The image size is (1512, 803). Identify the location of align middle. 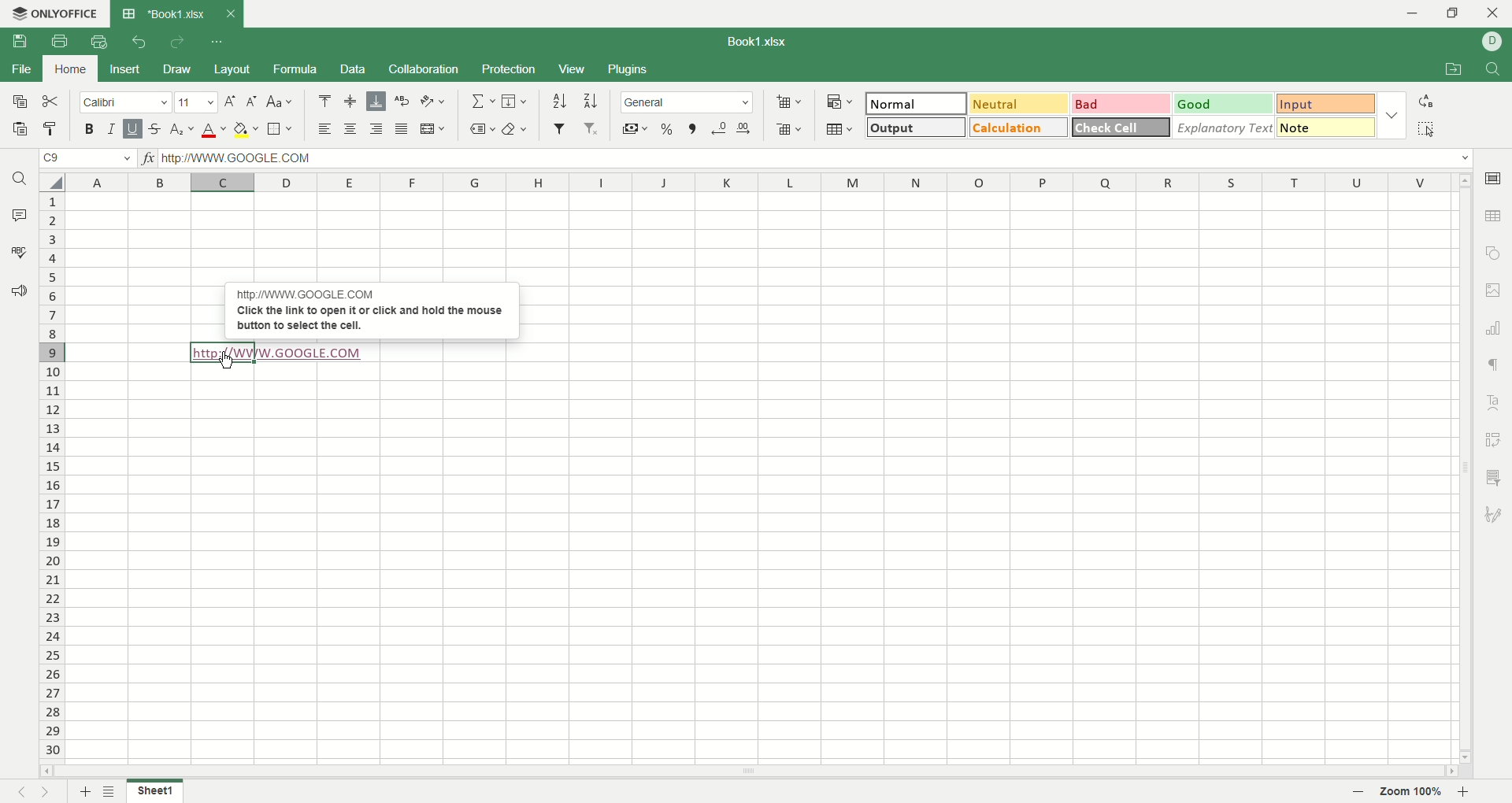
(350, 100).